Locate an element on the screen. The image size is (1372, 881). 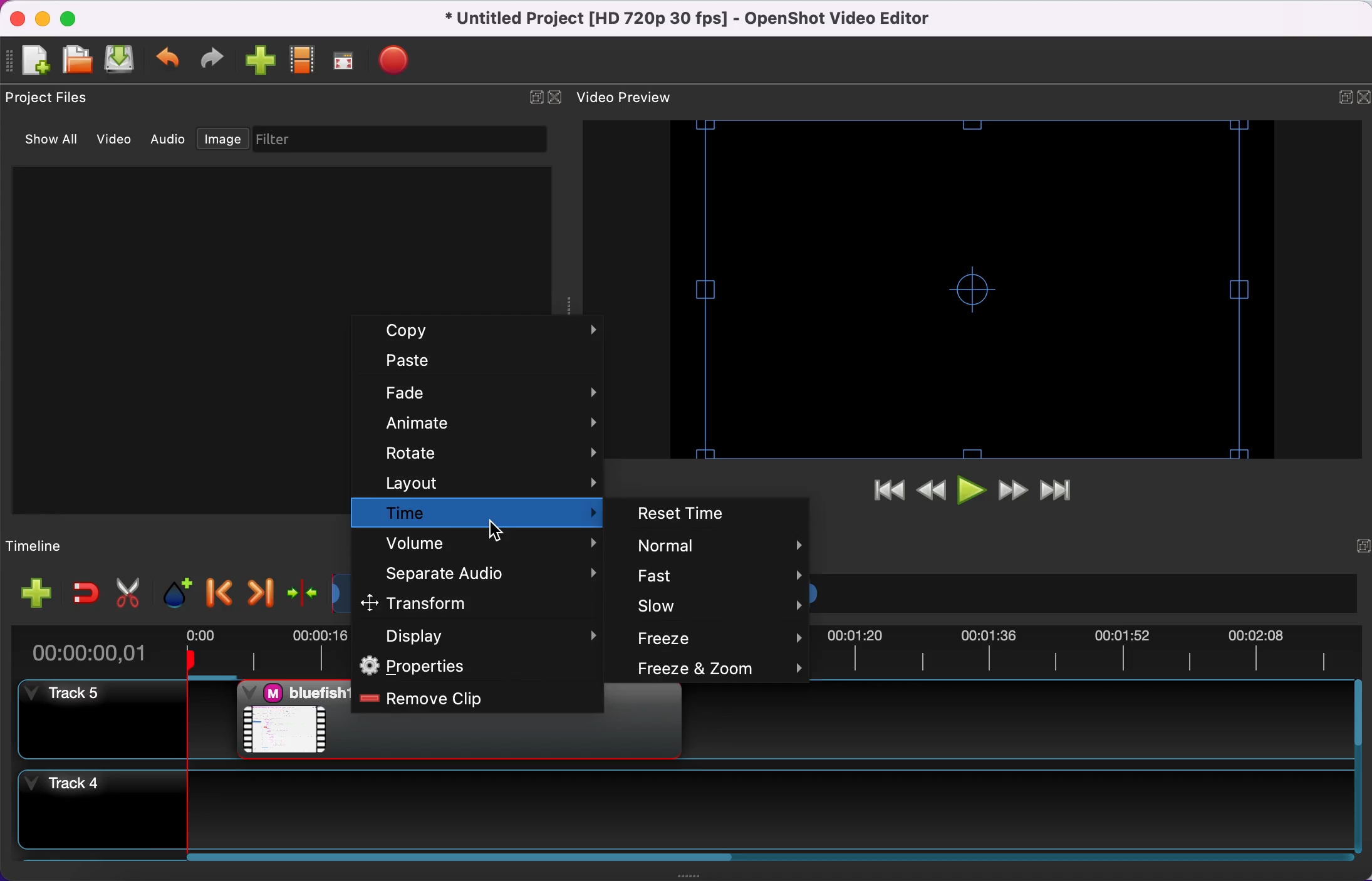
freeze and zoom is located at coordinates (718, 669).